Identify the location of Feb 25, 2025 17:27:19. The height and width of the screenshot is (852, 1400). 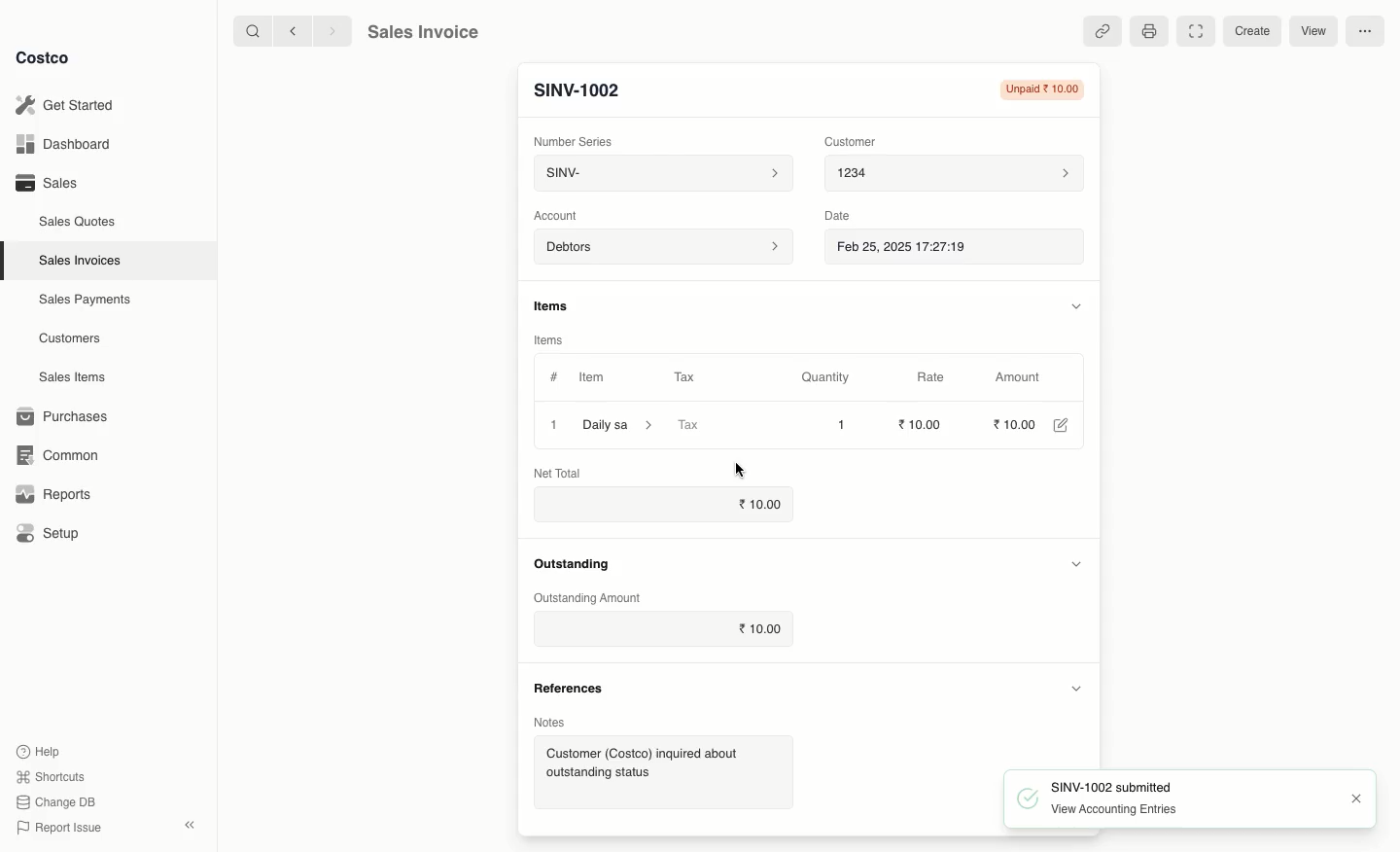
(951, 250).